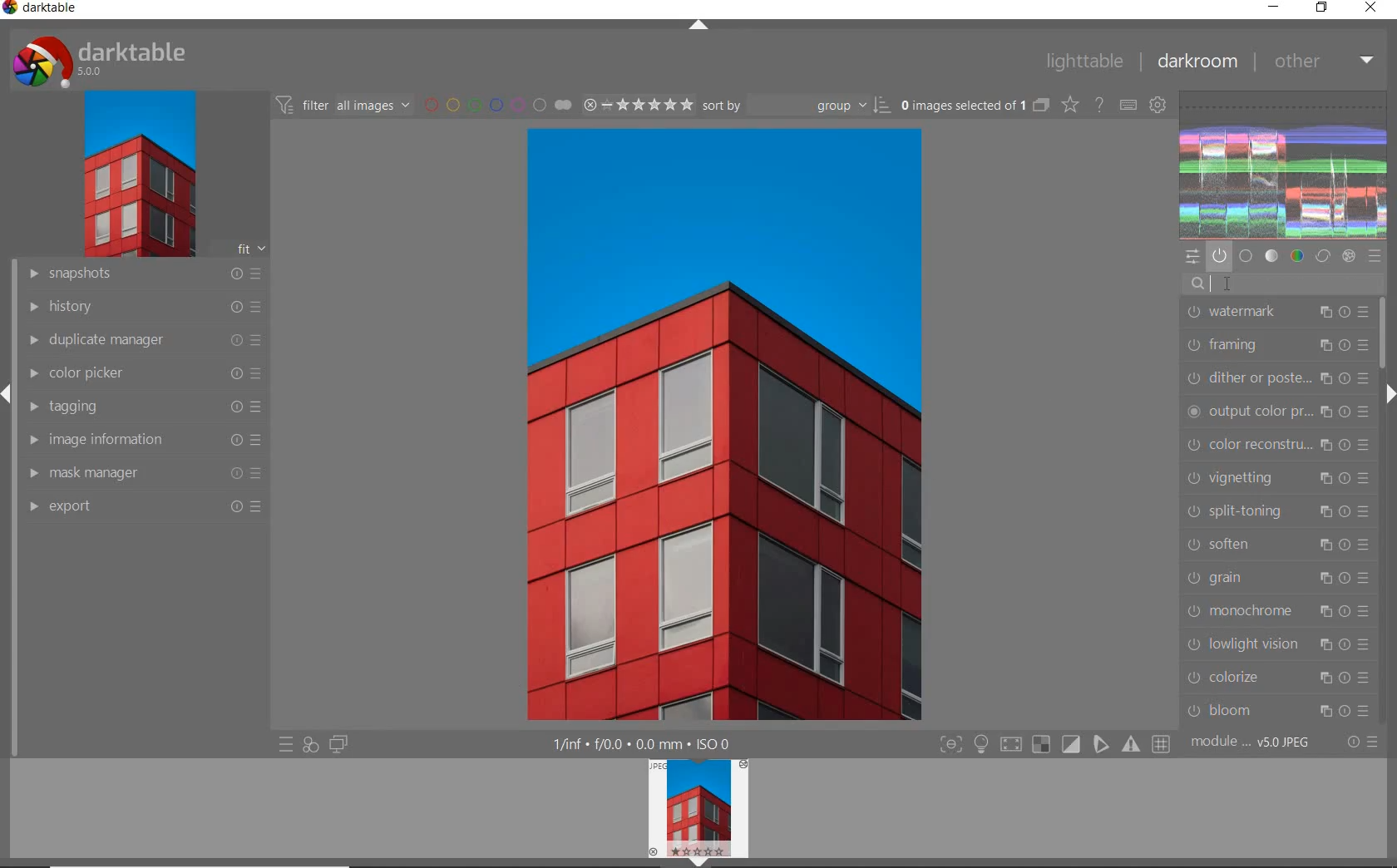  What do you see at coordinates (698, 24) in the screenshot?
I see `expand/collapse` at bounding box center [698, 24].